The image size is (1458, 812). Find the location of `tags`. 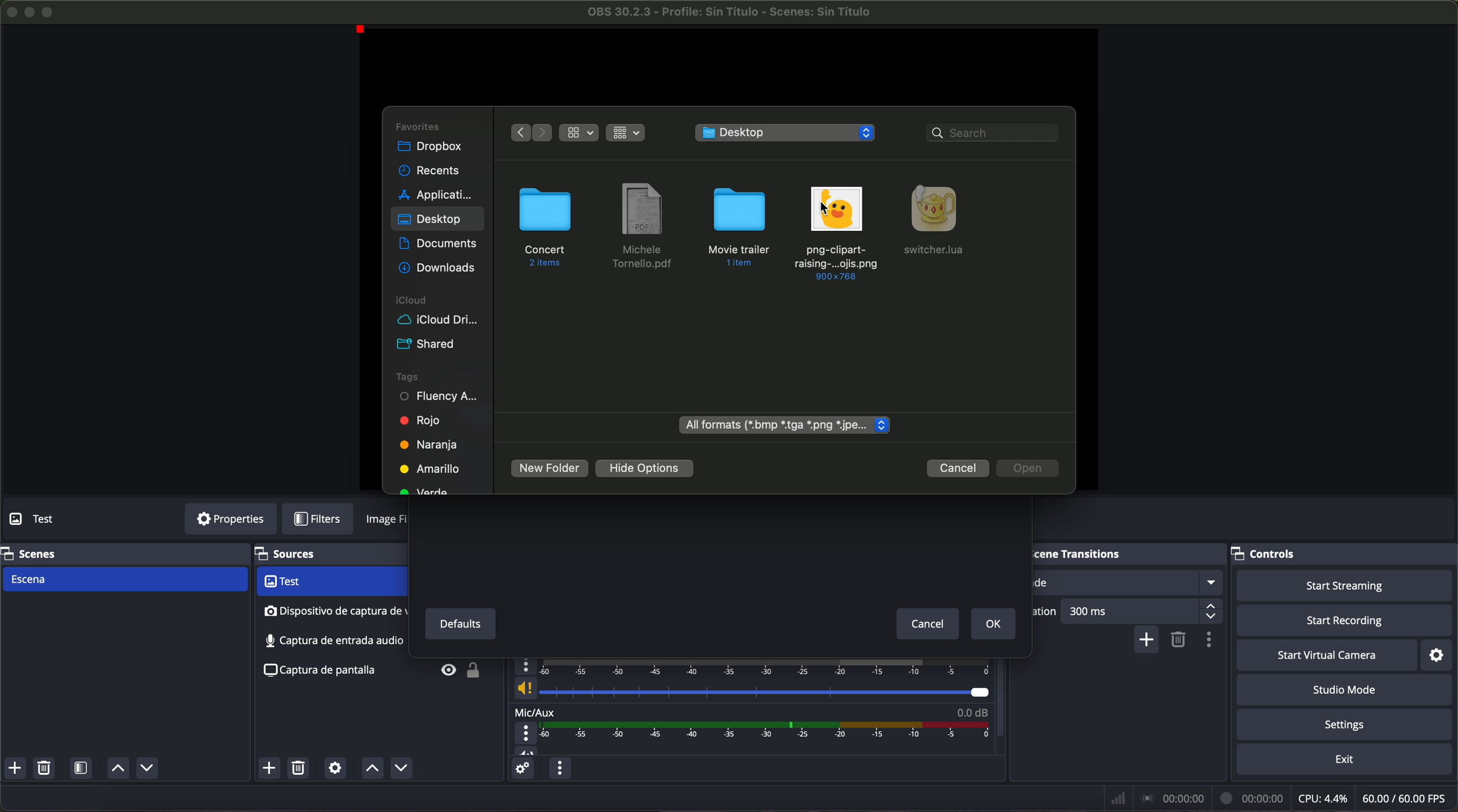

tags is located at coordinates (409, 377).